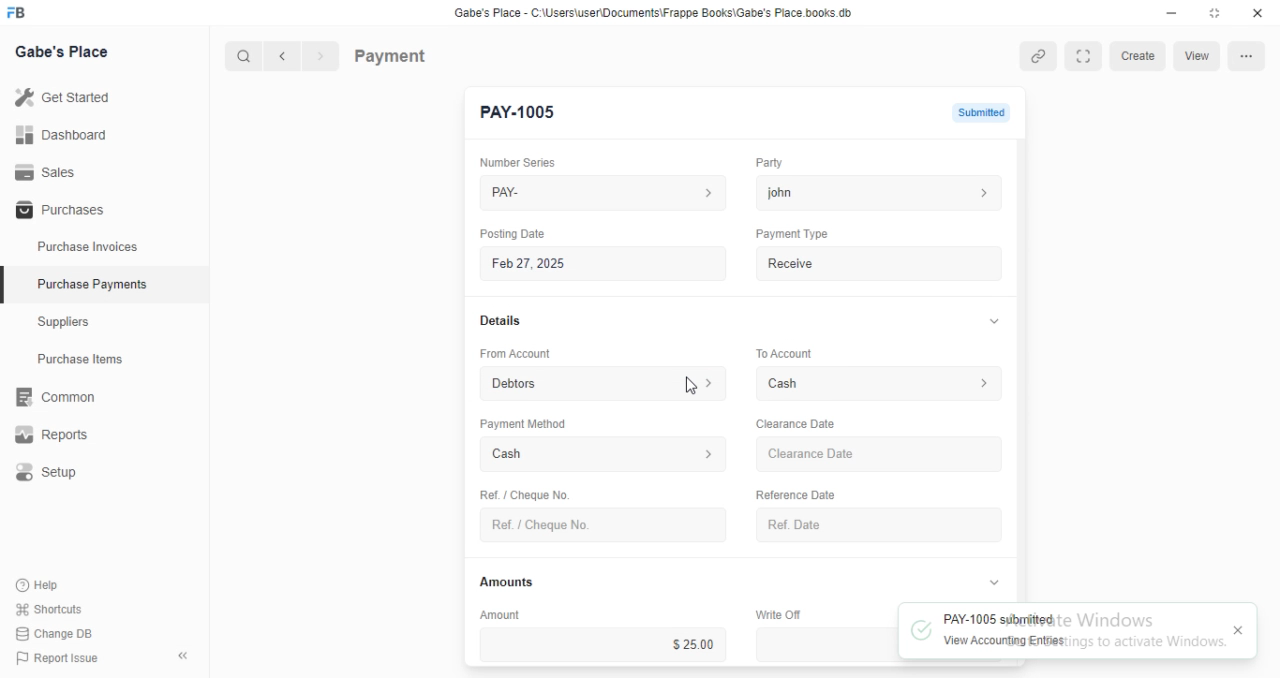 This screenshot has width=1280, height=678. What do you see at coordinates (606, 264) in the screenshot?
I see `Feb 27, 2025` at bounding box center [606, 264].